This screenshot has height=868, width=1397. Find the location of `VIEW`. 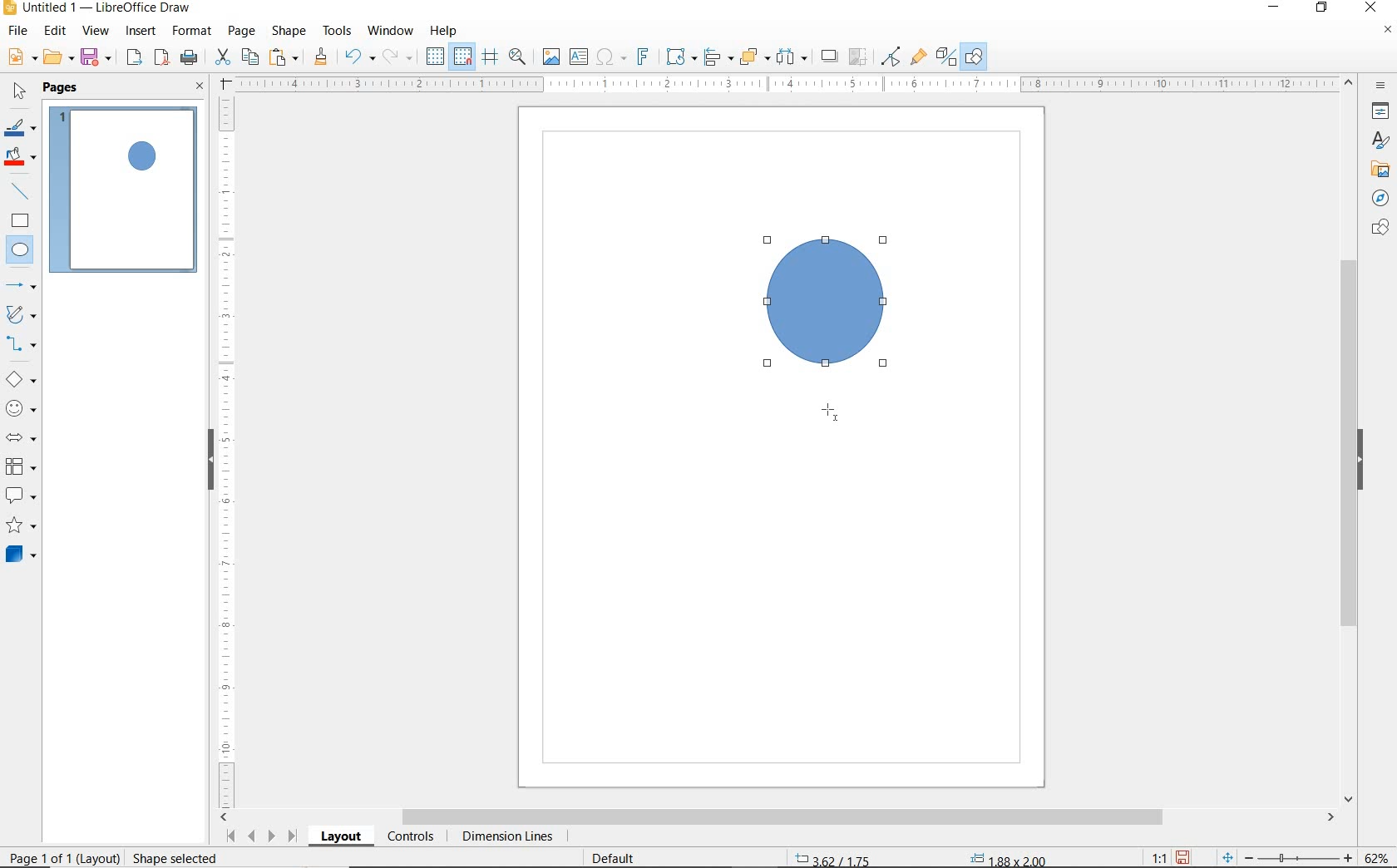

VIEW is located at coordinates (96, 32).